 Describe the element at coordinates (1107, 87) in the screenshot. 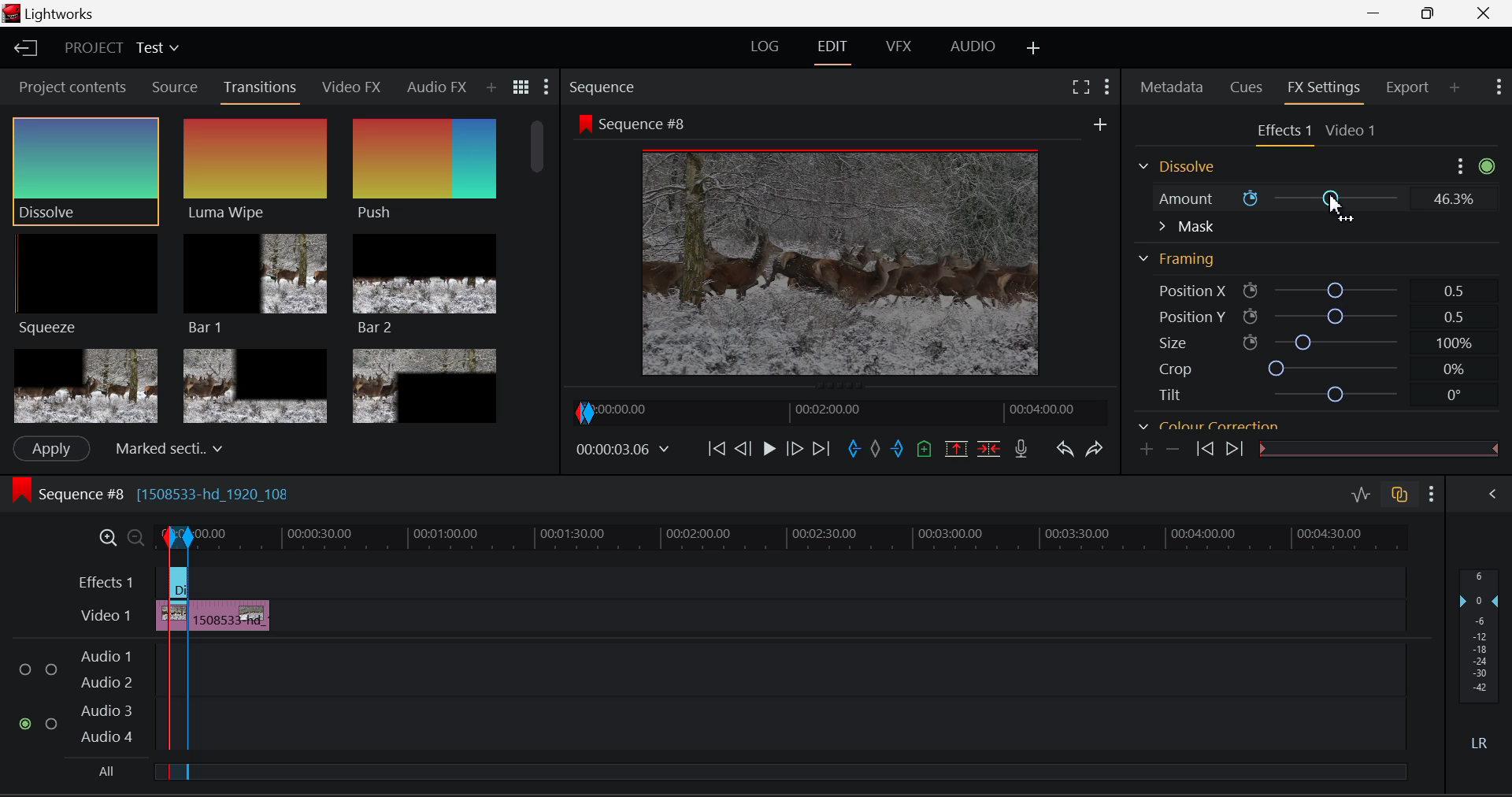

I see `Show Settings` at that location.